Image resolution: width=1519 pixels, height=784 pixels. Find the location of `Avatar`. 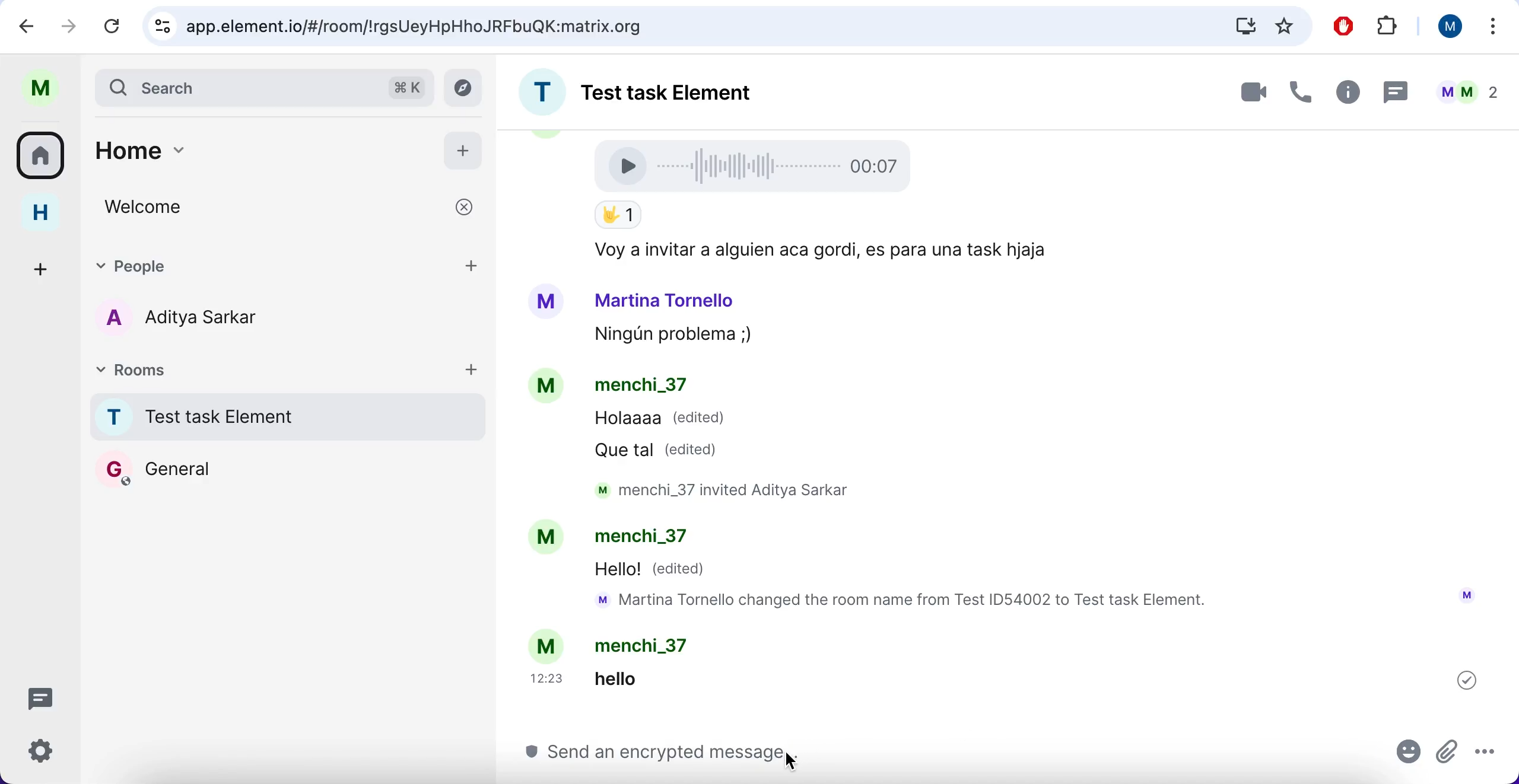

Avatar is located at coordinates (548, 388).